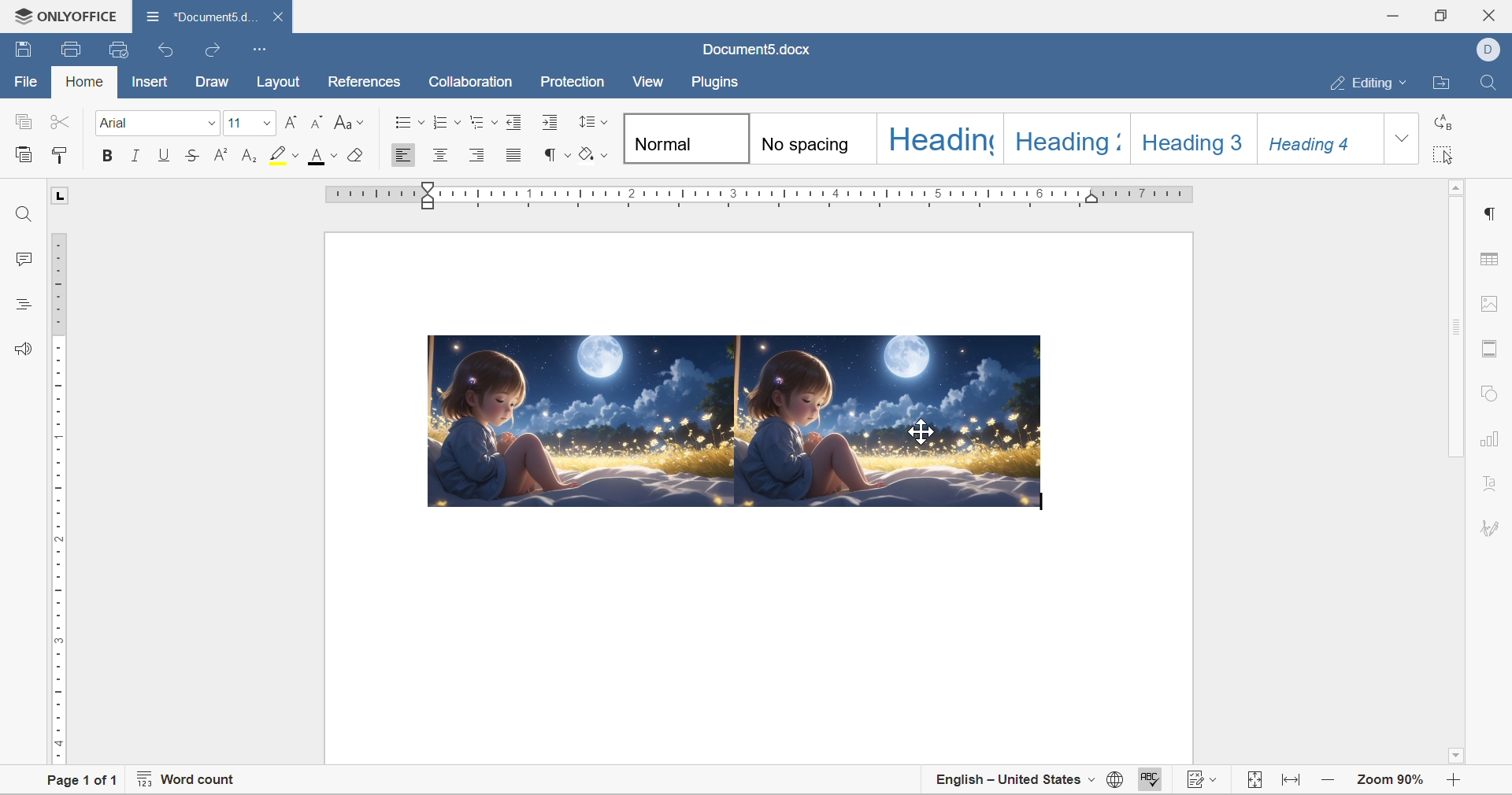  Describe the element at coordinates (1444, 82) in the screenshot. I see `open file location` at that location.